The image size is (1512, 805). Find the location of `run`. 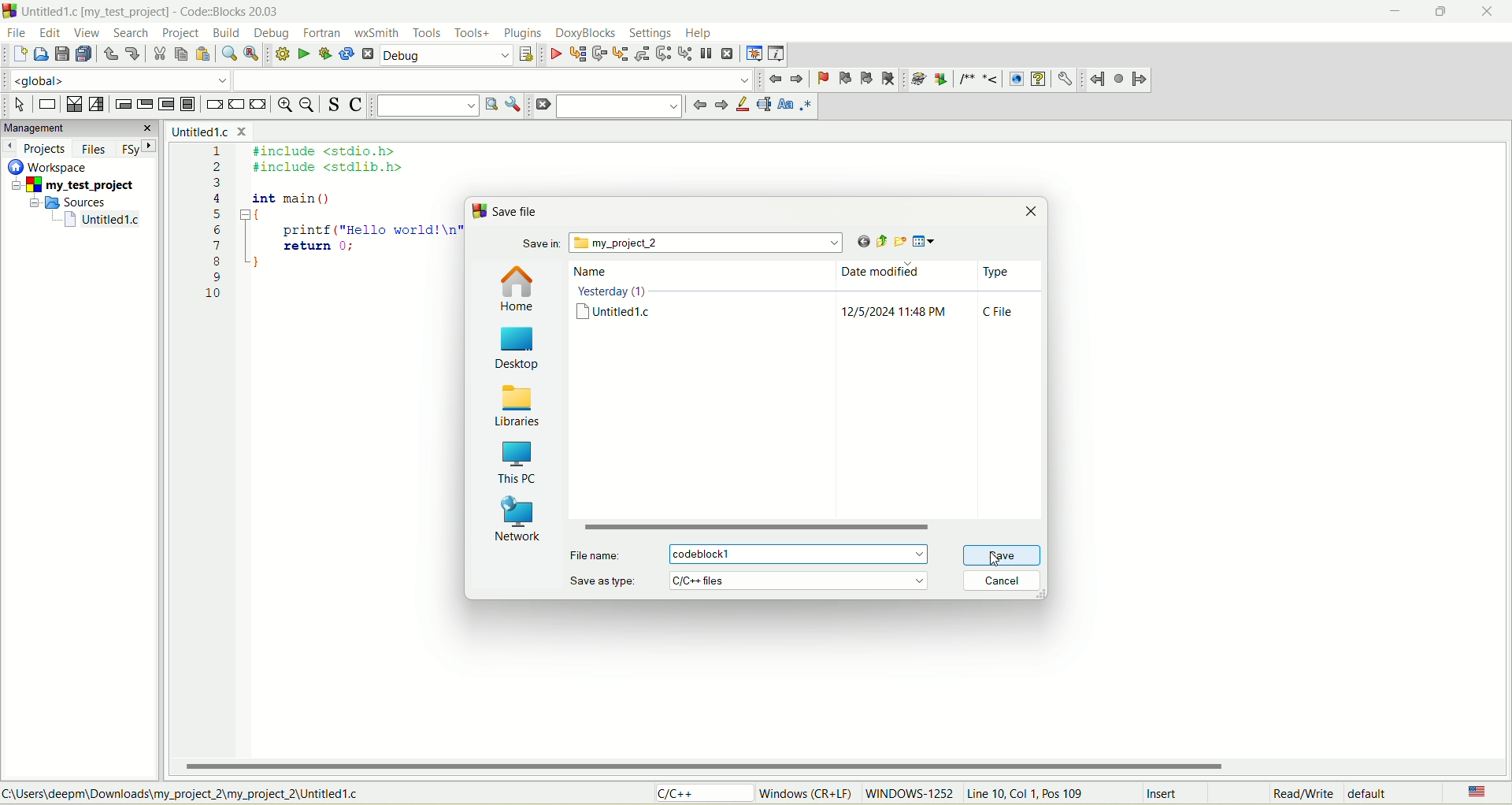

run is located at coordinates (303, 53).